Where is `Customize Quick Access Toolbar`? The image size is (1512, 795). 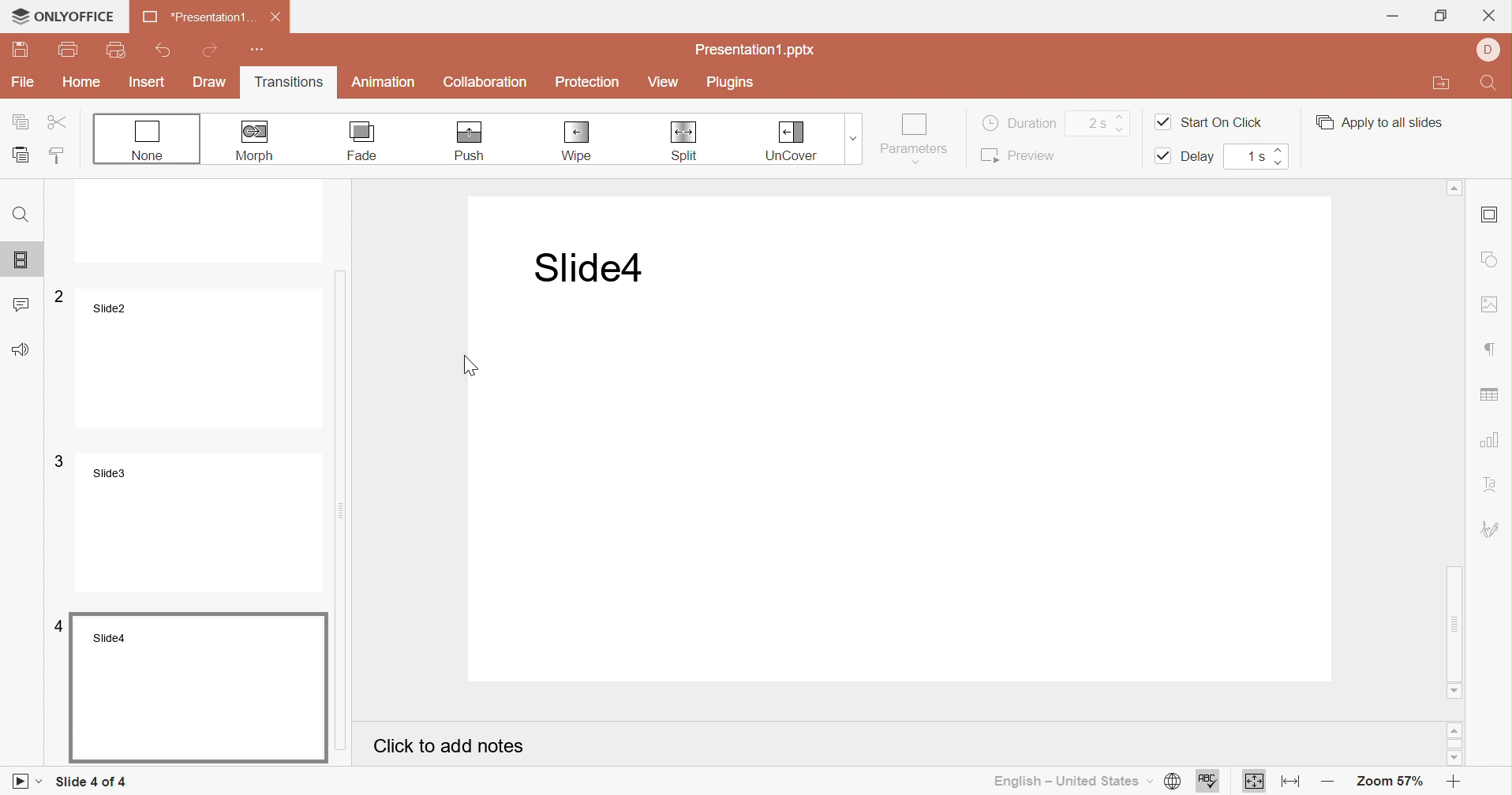 Customize Quick Access Toolbar is located at coordinates (259, 50).